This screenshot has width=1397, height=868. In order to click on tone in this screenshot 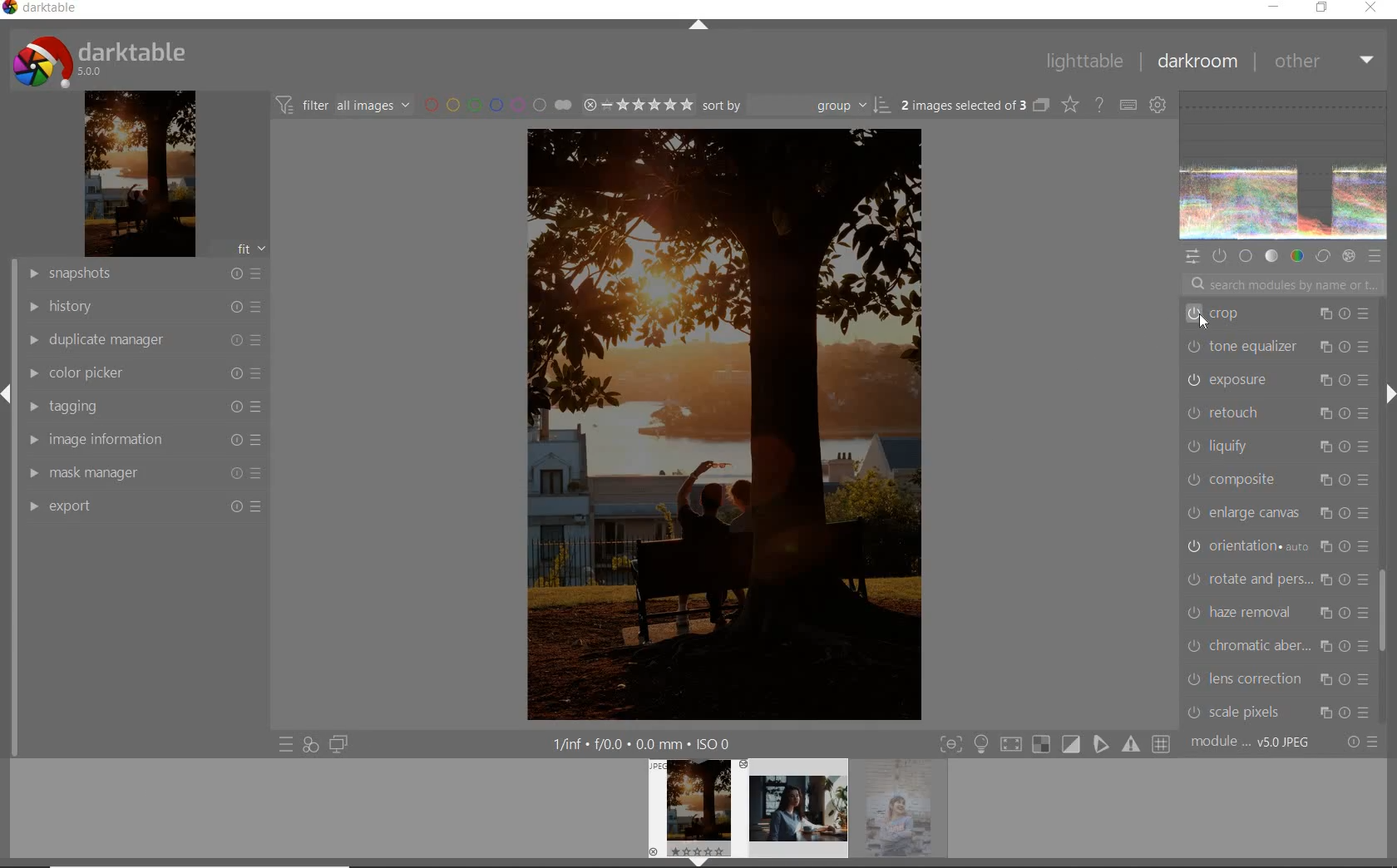, I will do `click(1272, 256)`.